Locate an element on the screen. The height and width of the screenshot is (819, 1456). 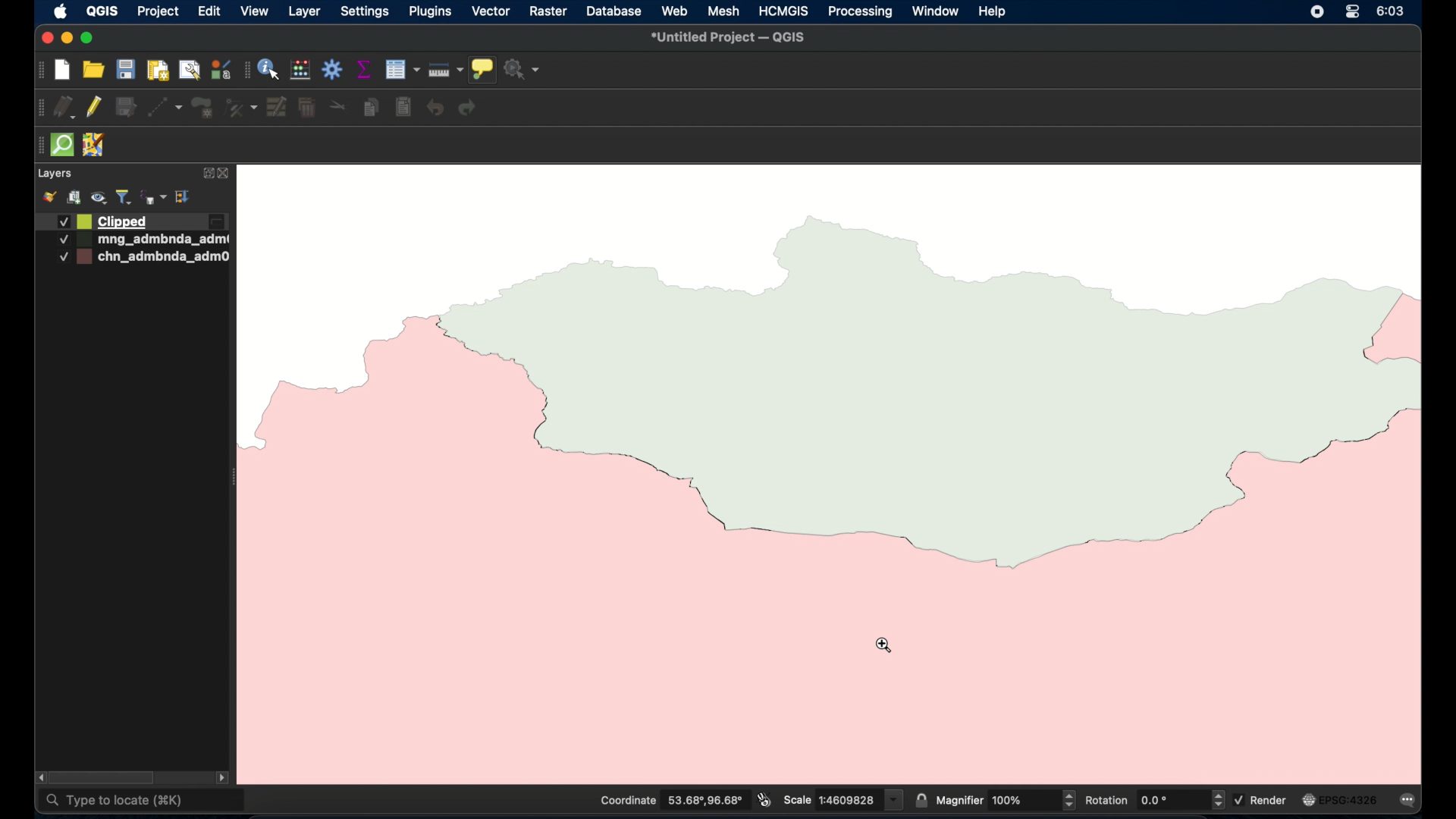
database is located at coordinates (612, 13).